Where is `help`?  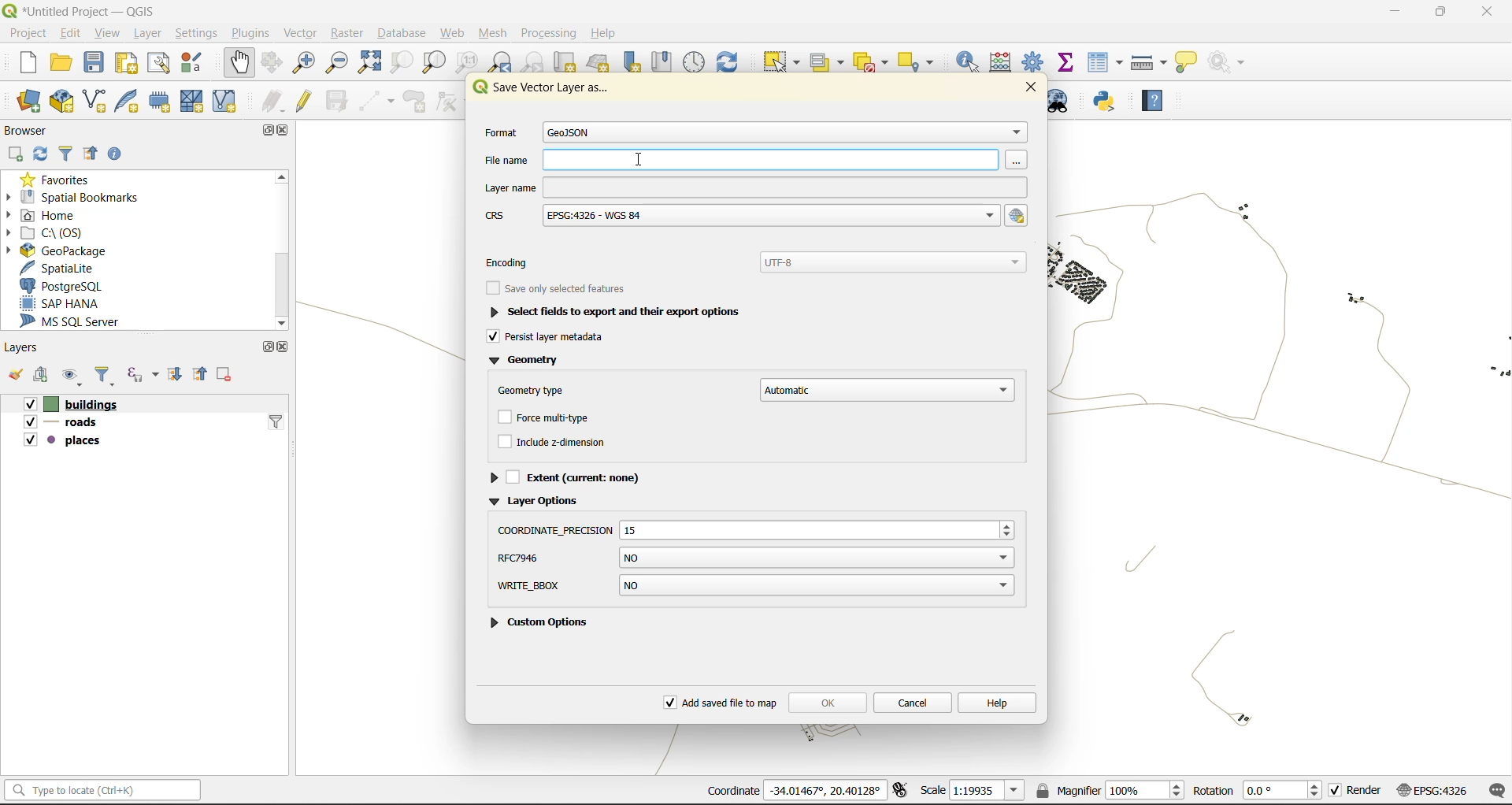
help is located at coordinates (1154, 101).